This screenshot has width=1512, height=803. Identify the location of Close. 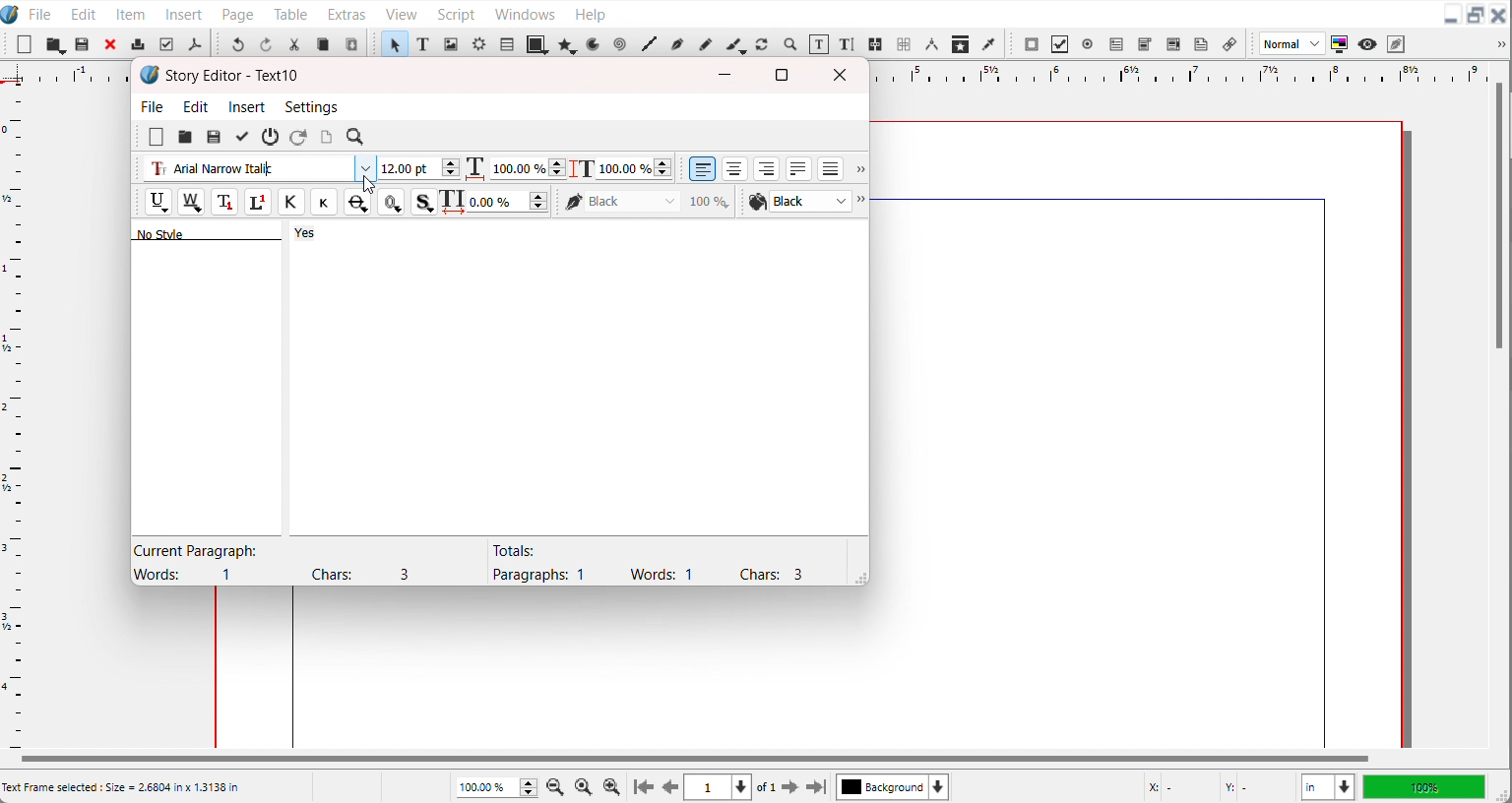
(1499, 16).